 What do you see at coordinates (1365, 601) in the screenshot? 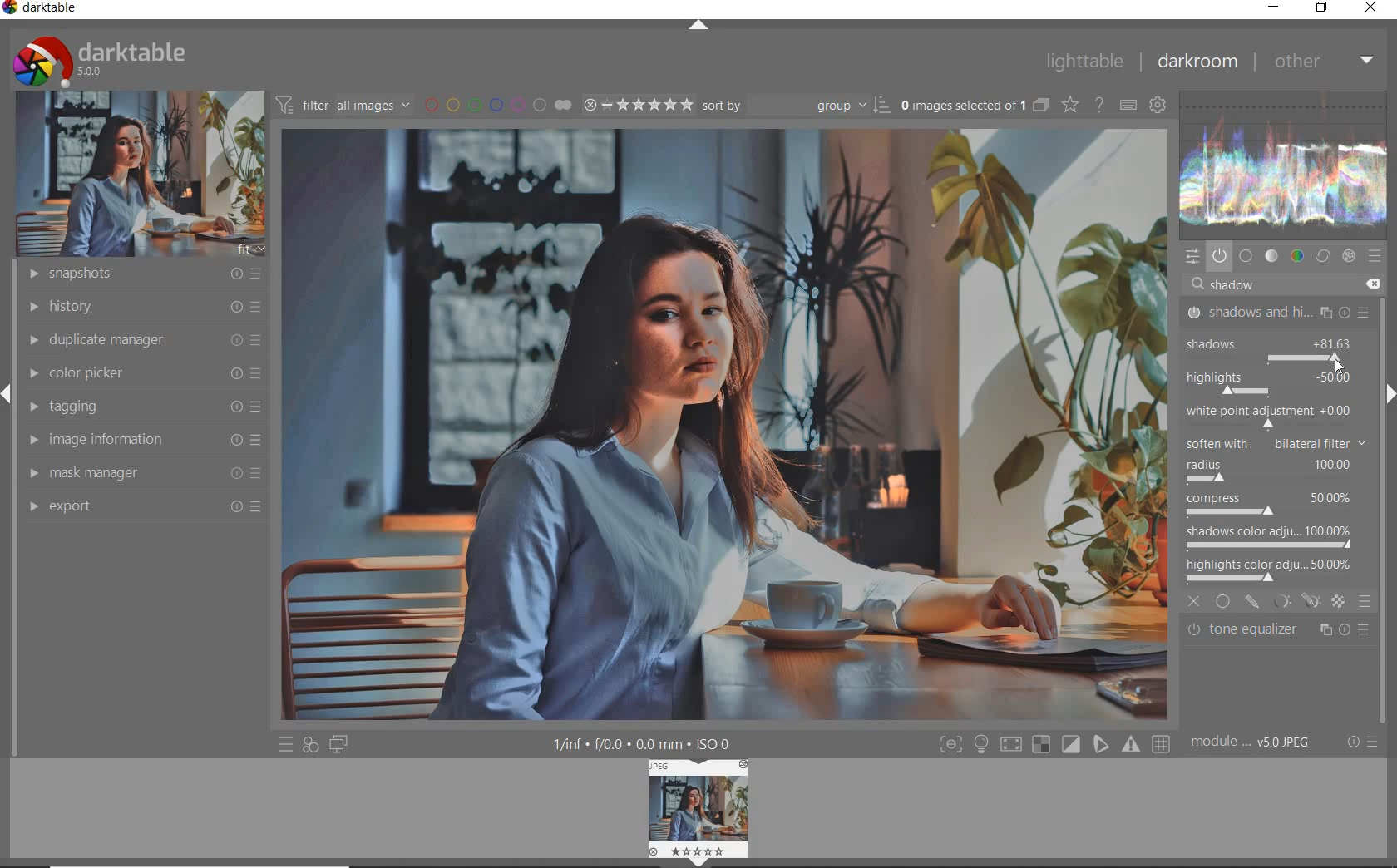
I see `blending options` at bounding box center [1365, 601].